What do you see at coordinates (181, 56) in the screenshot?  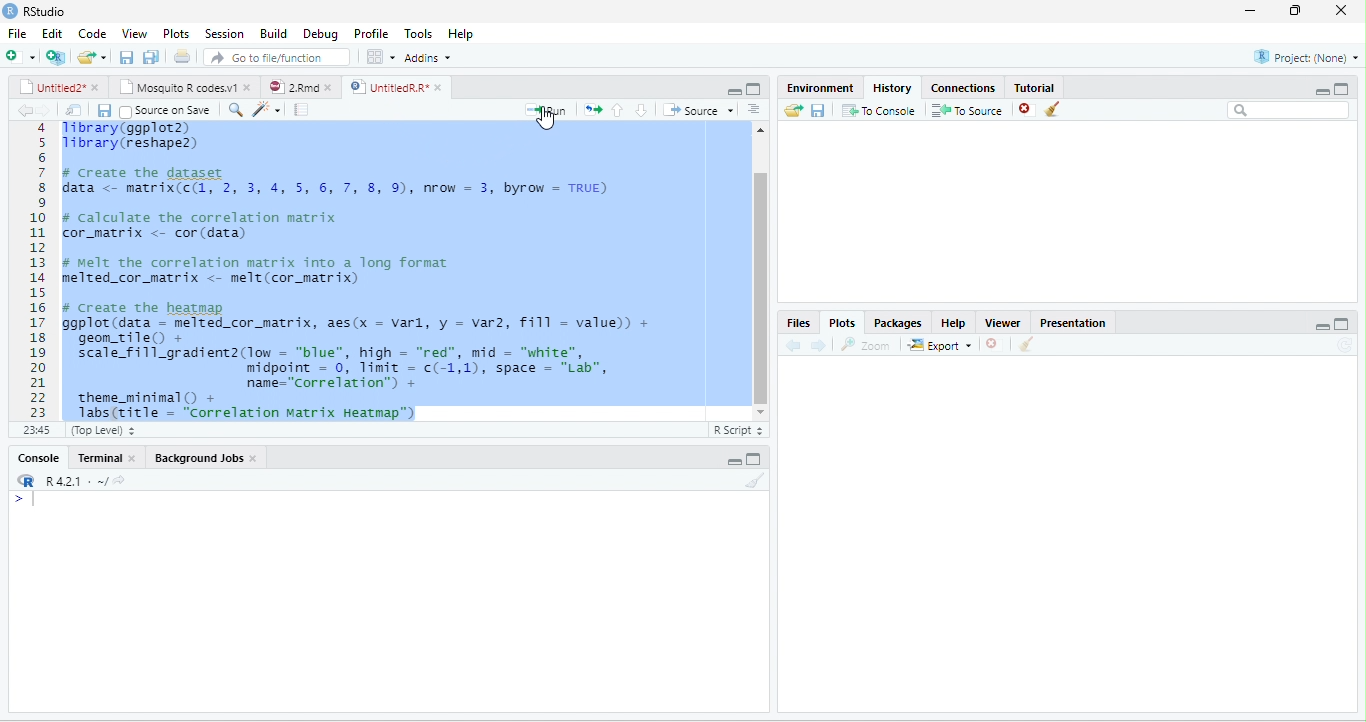 I see `document` at bounding box center [181, 56].